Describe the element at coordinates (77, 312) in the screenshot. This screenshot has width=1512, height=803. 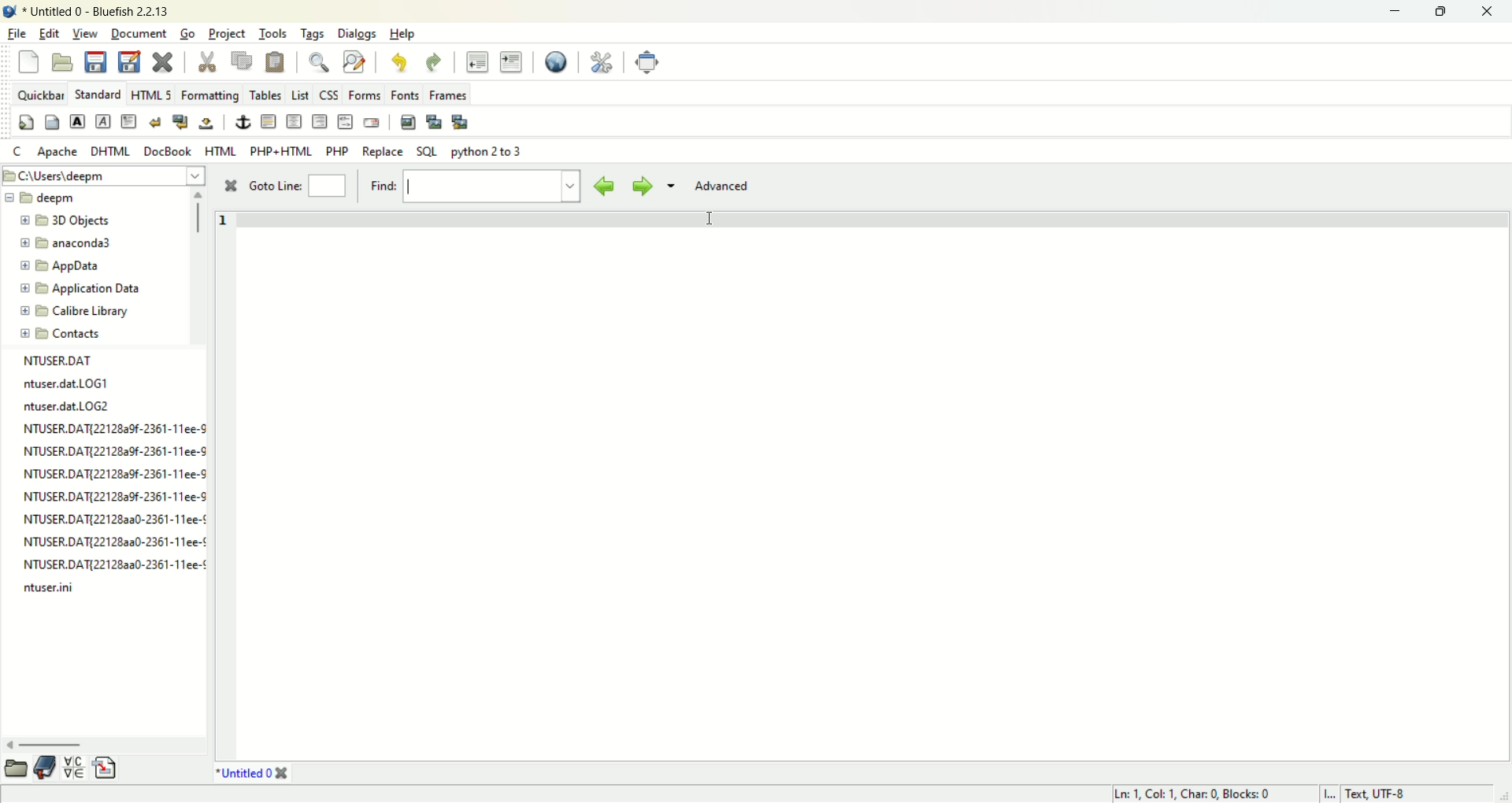
I see `calibre library` at that location.